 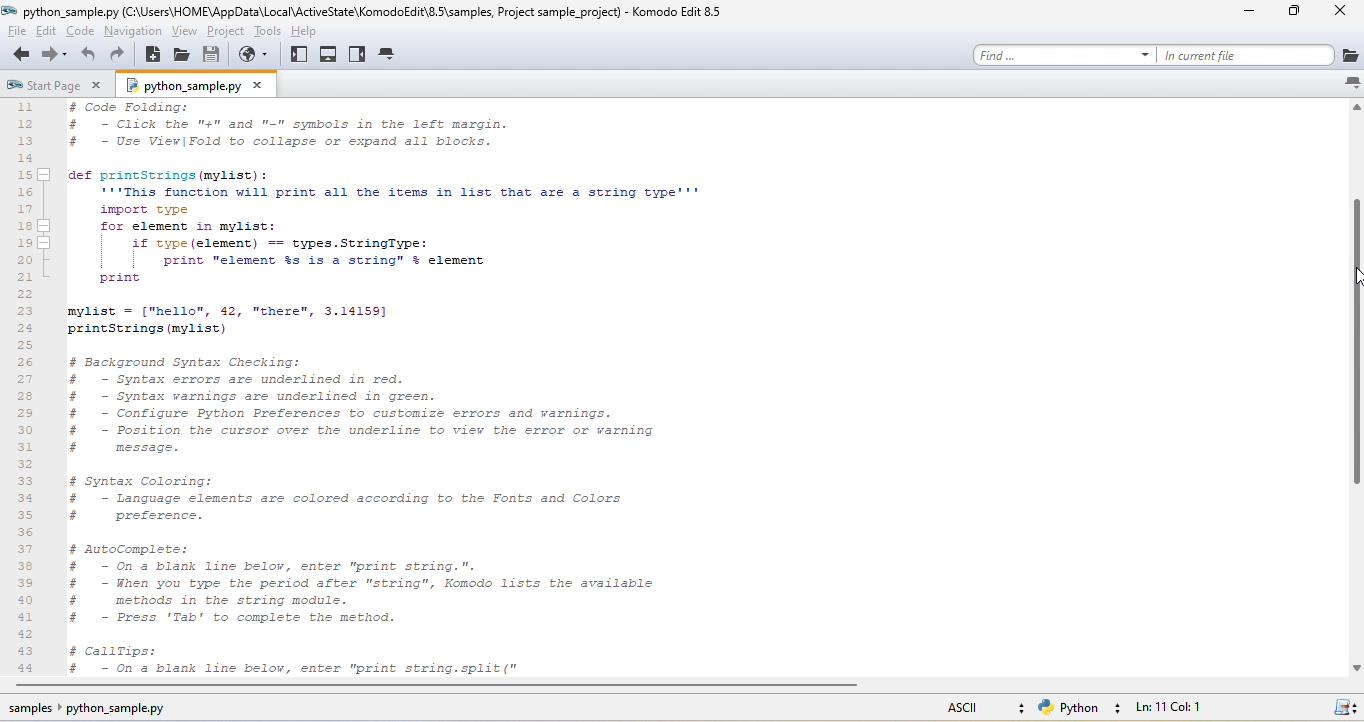 What do you see at coordinates (1354, 668) in the screenshot?
I see `scroll down` at bounding box center [1354, 668].